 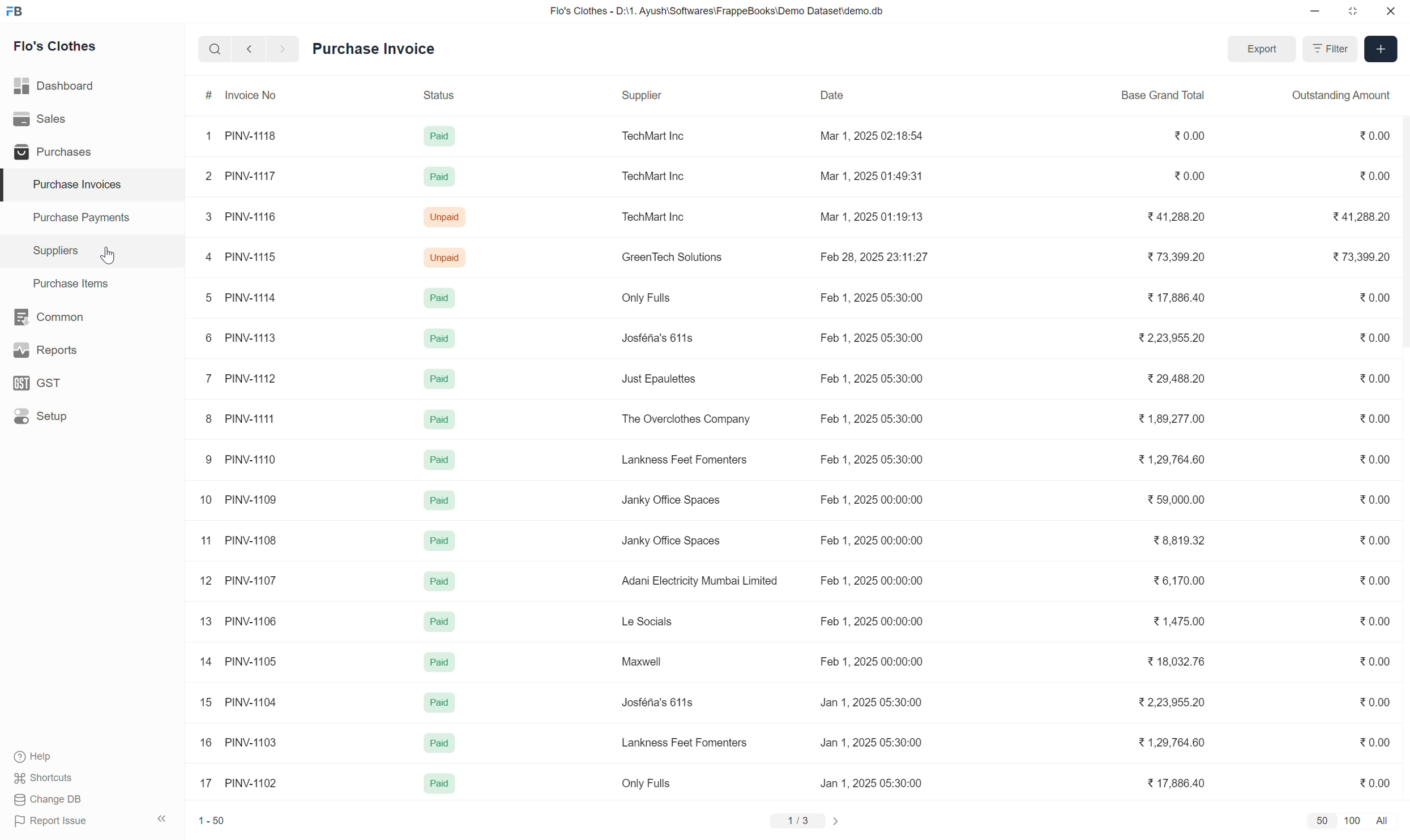 I want to click on % 1,475.00, so click(x=1181, y=622).